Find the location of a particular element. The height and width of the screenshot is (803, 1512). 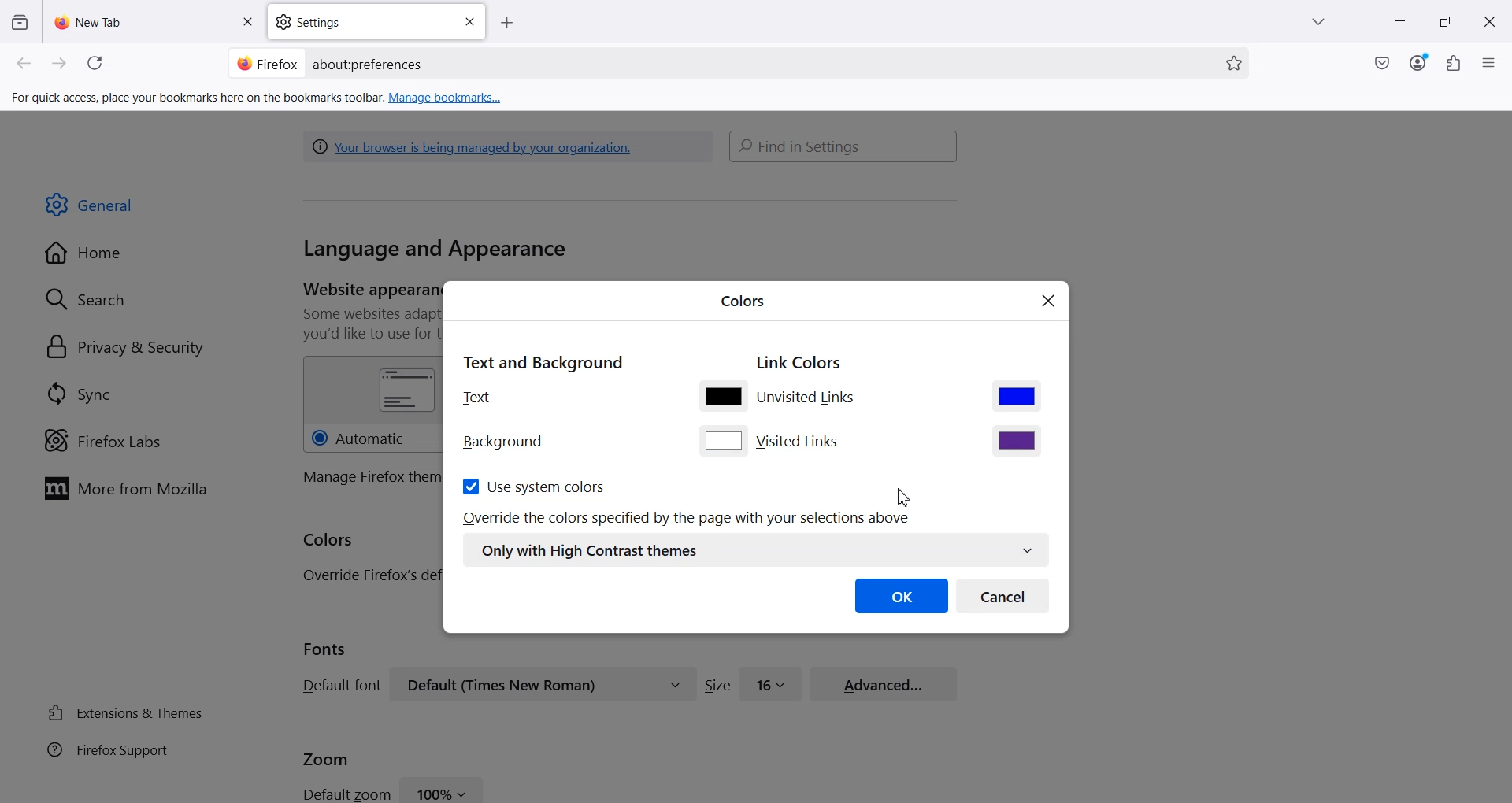

@ Firefox Support is located at coordinates (108, 749).